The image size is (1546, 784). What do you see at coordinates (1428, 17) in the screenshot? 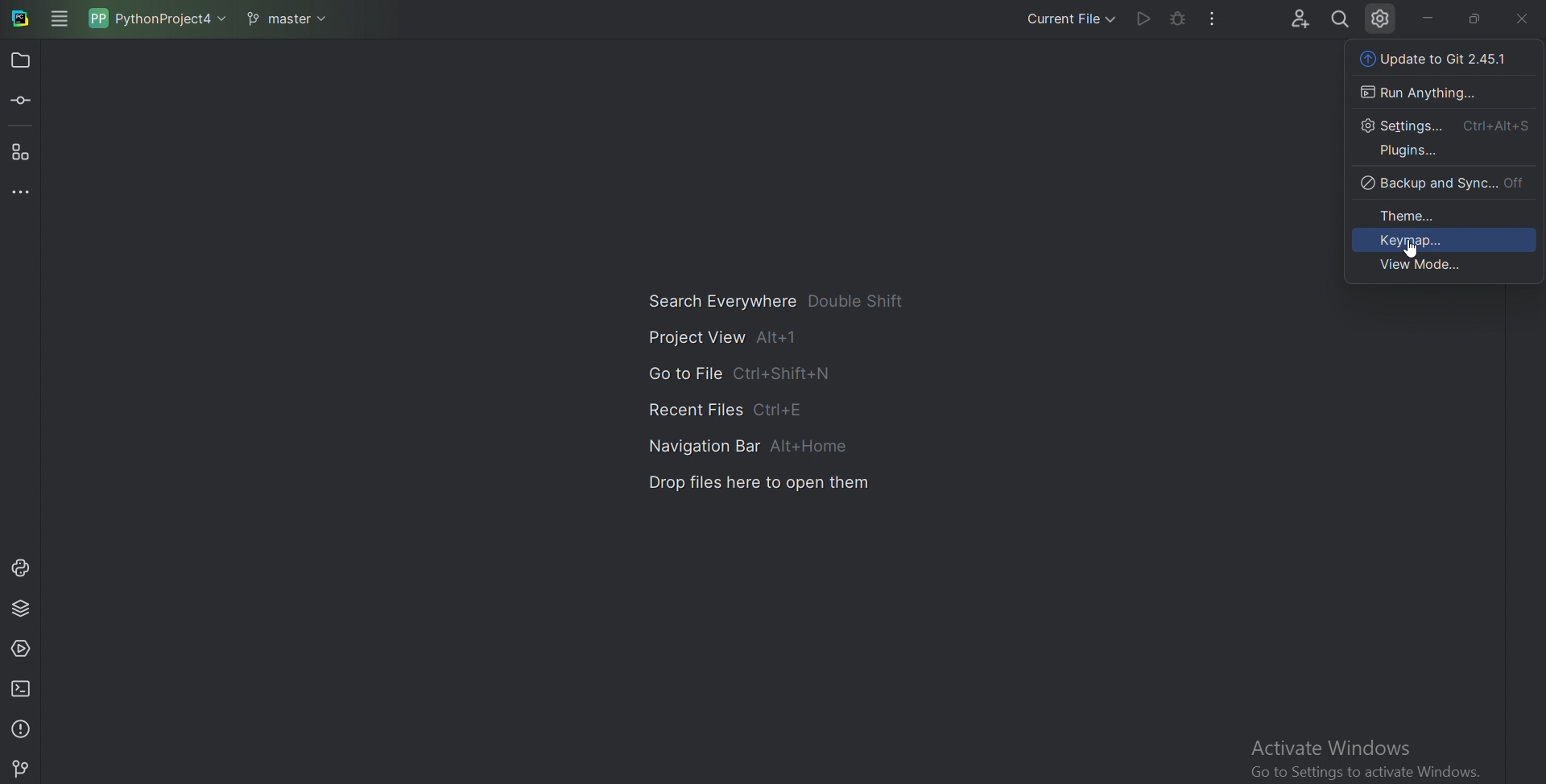
I see `minimize ` at bounding box center [1428, 17].